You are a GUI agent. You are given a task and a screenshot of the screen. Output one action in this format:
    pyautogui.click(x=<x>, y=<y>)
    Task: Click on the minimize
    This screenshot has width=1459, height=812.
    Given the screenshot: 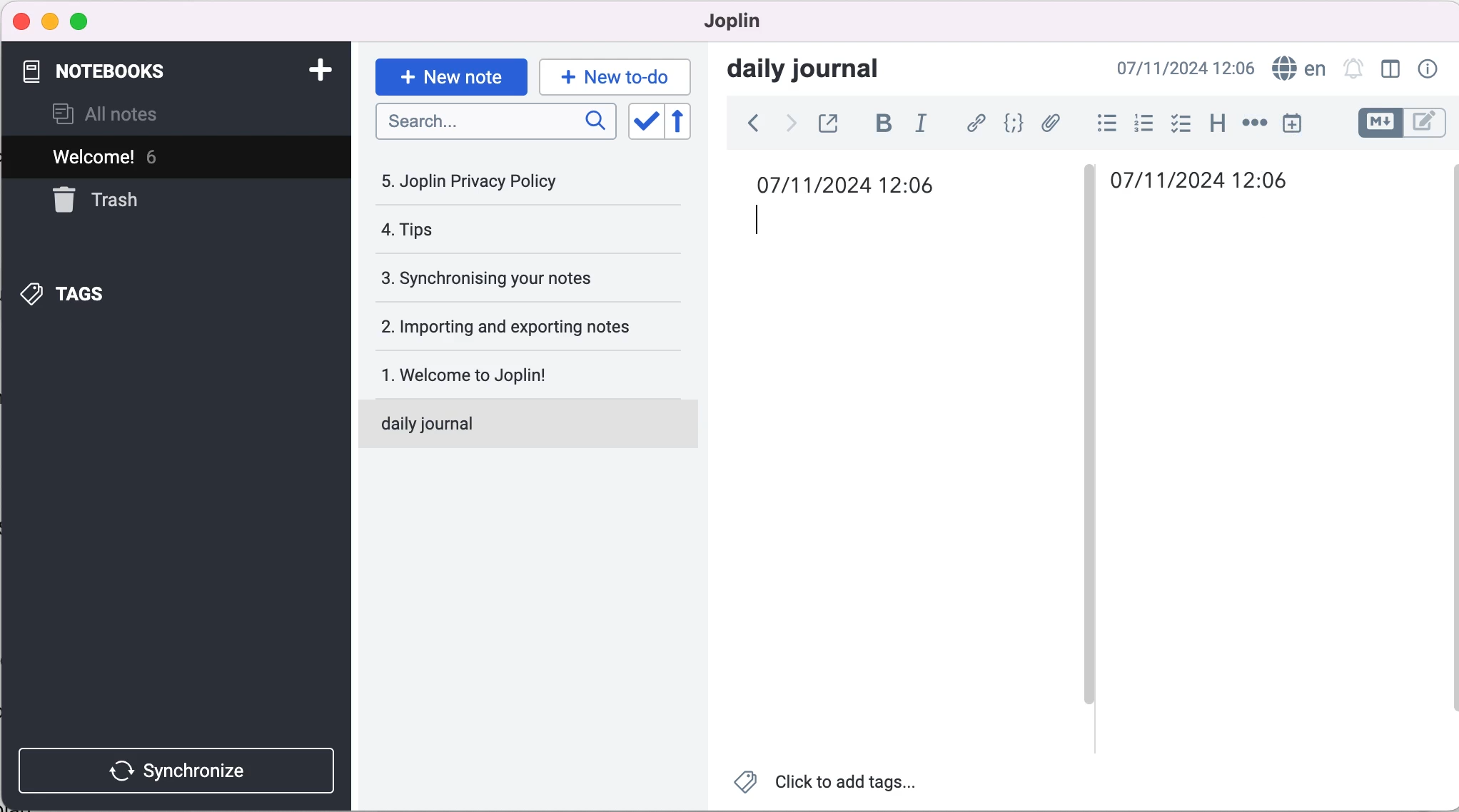 What is the action you would take?
    pyautogui.click(x=50, y=21)
    